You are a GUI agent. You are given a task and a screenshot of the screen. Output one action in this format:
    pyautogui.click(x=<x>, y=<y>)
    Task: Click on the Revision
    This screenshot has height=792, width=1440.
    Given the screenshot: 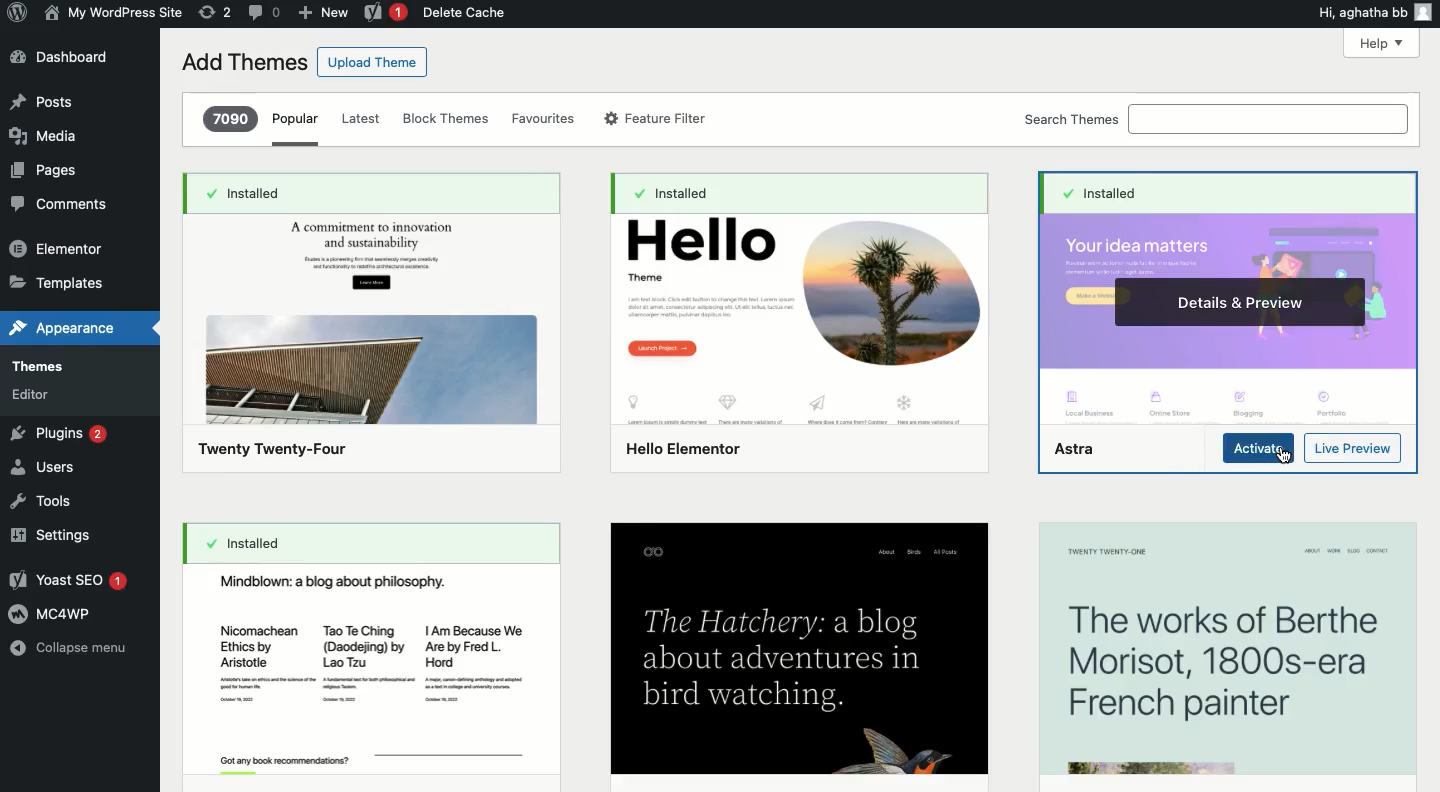 What is the action you would take?
    pyautogui.click(x=217, y=11)
    